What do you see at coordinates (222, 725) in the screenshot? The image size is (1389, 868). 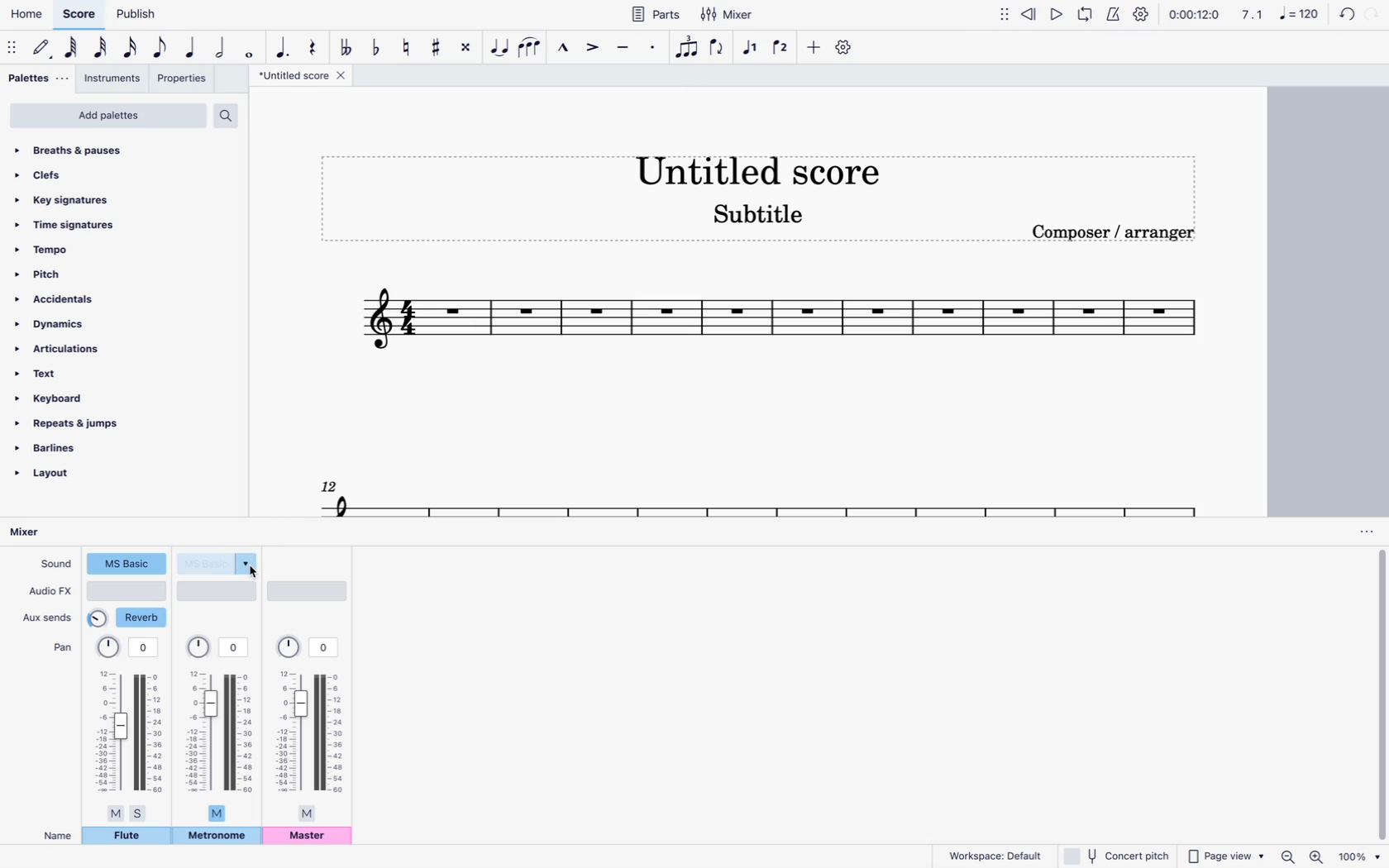 I see `pan` at bounding box center [222, 725].